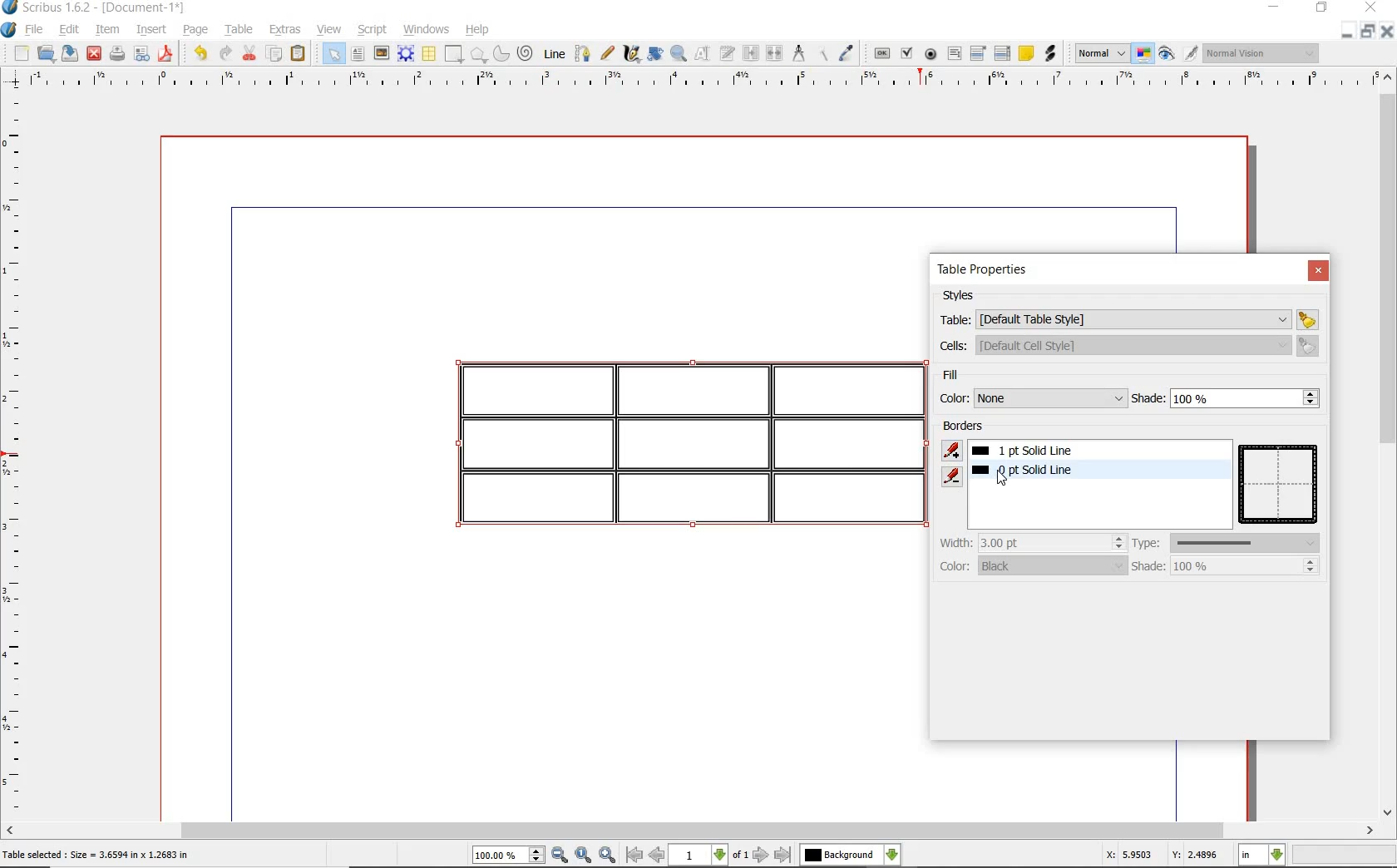 The height and width of the screenshot is (868, 1397). What do you see at coordinates (1031, 451) in the screenshot?
I see `1pt solid line` at bounding box center [1031, 451].